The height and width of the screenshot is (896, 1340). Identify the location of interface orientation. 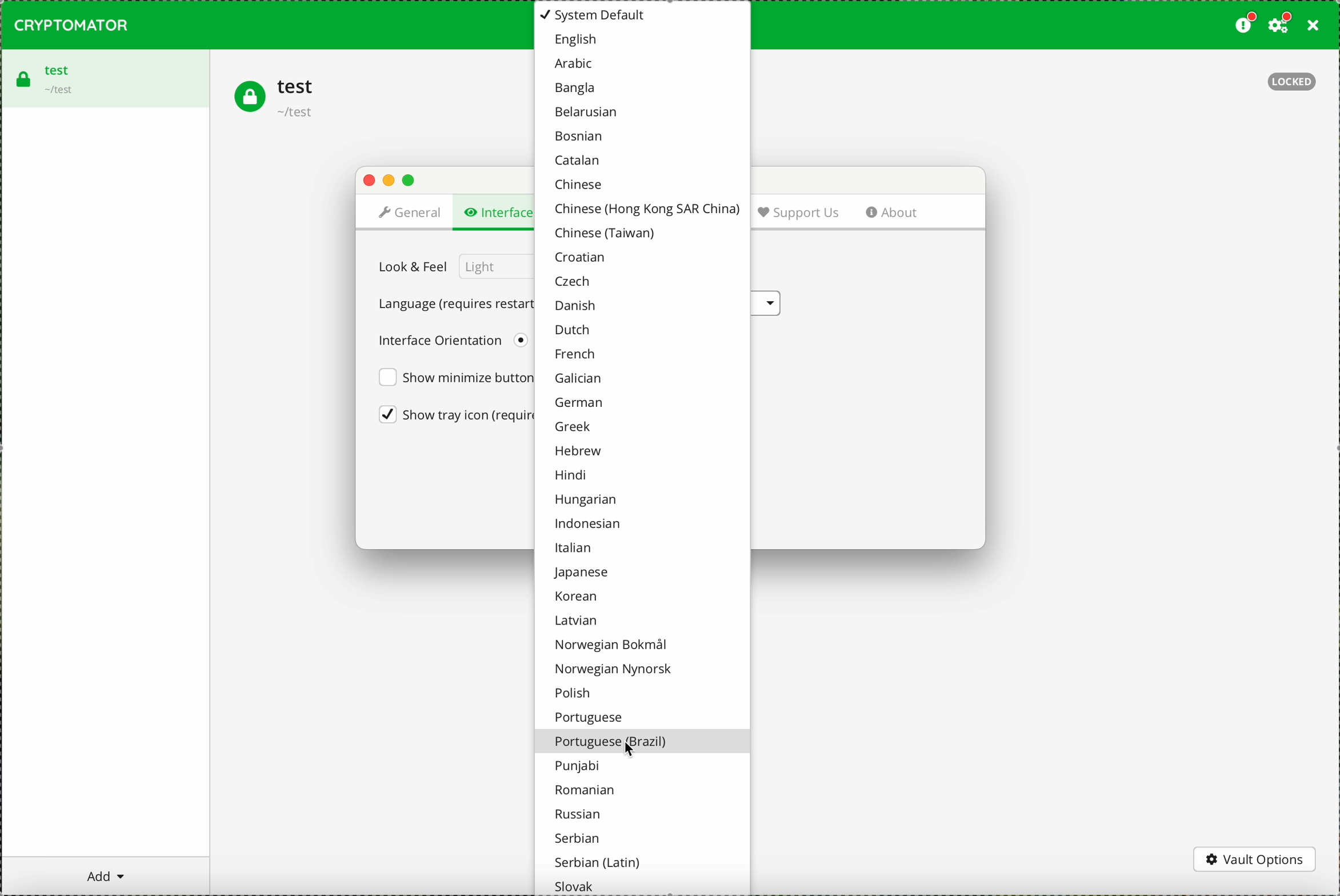
(438, 342).